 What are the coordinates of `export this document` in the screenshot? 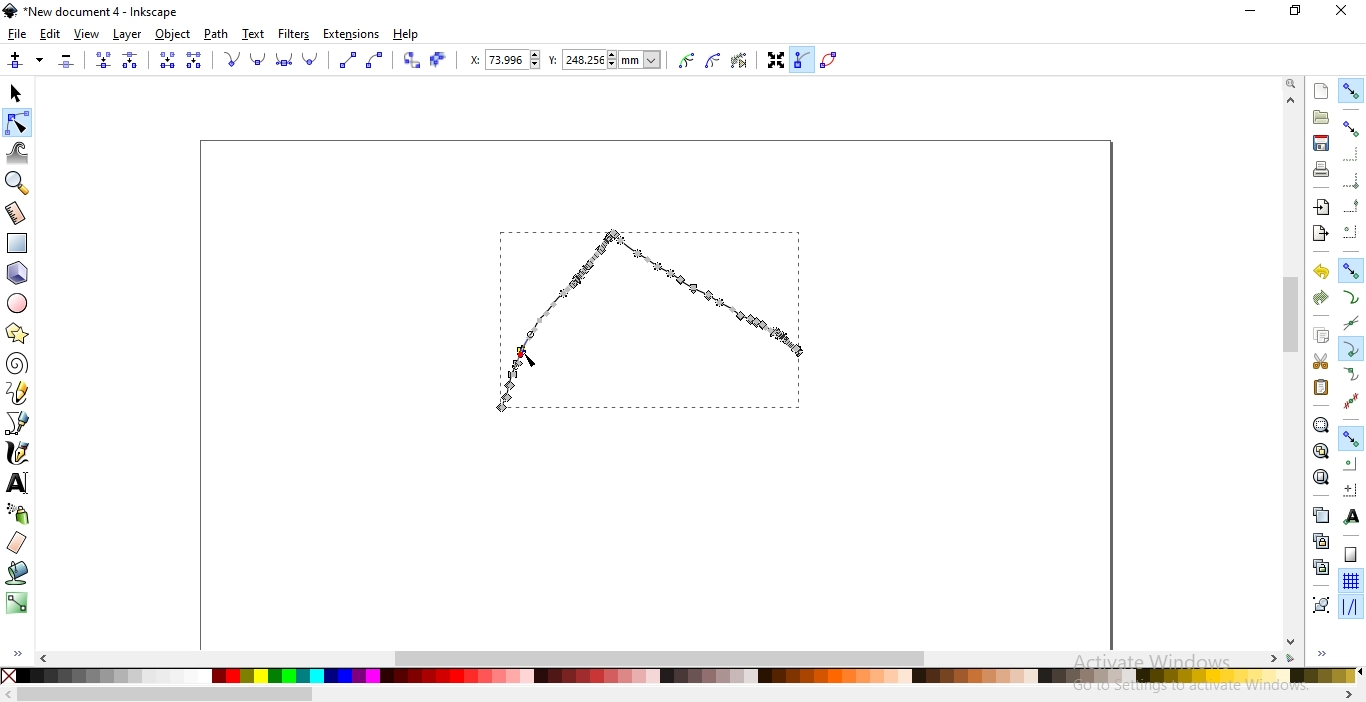 It's located at (1319, 234).